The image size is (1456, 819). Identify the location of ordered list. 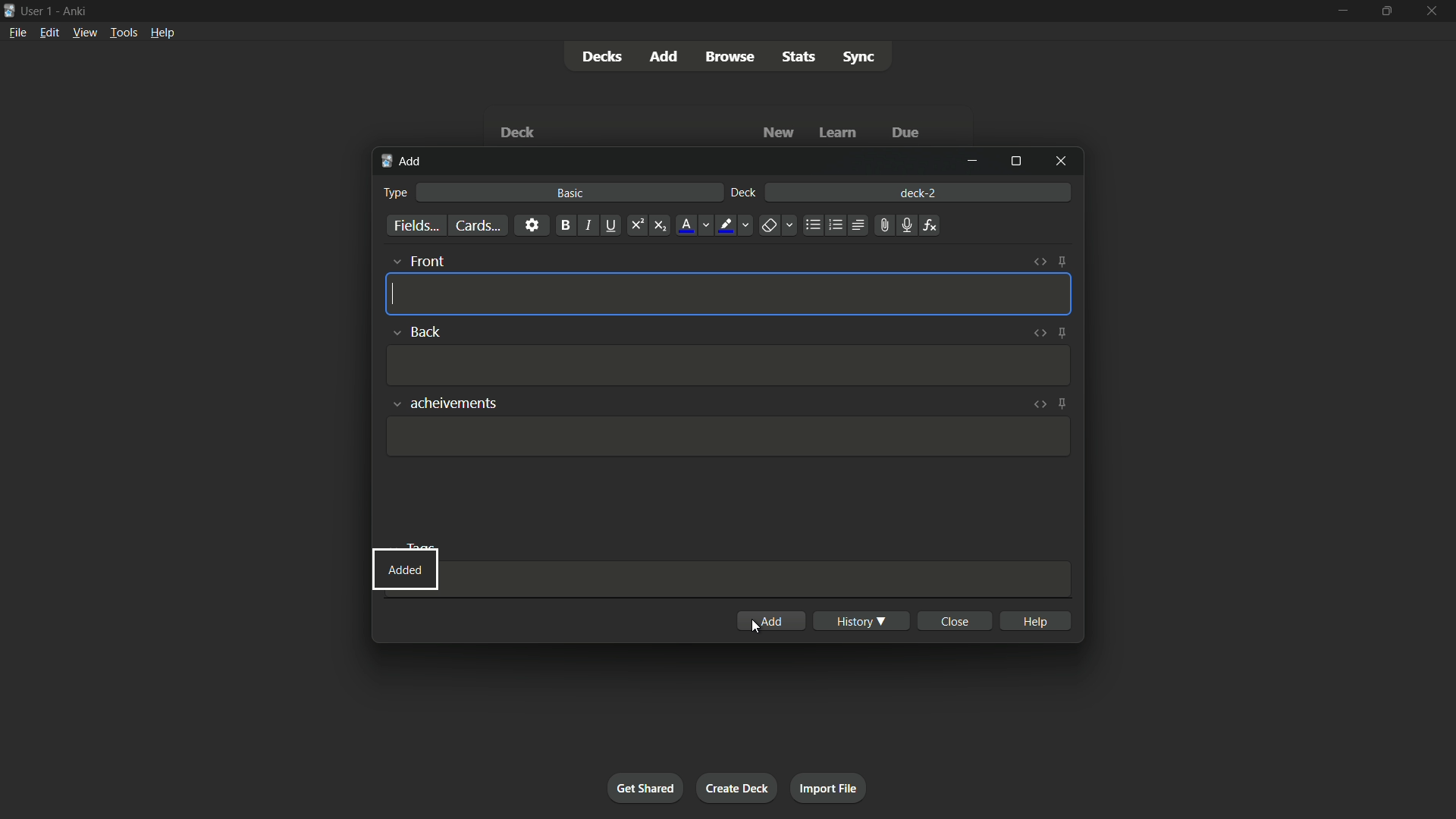
(836, 226).